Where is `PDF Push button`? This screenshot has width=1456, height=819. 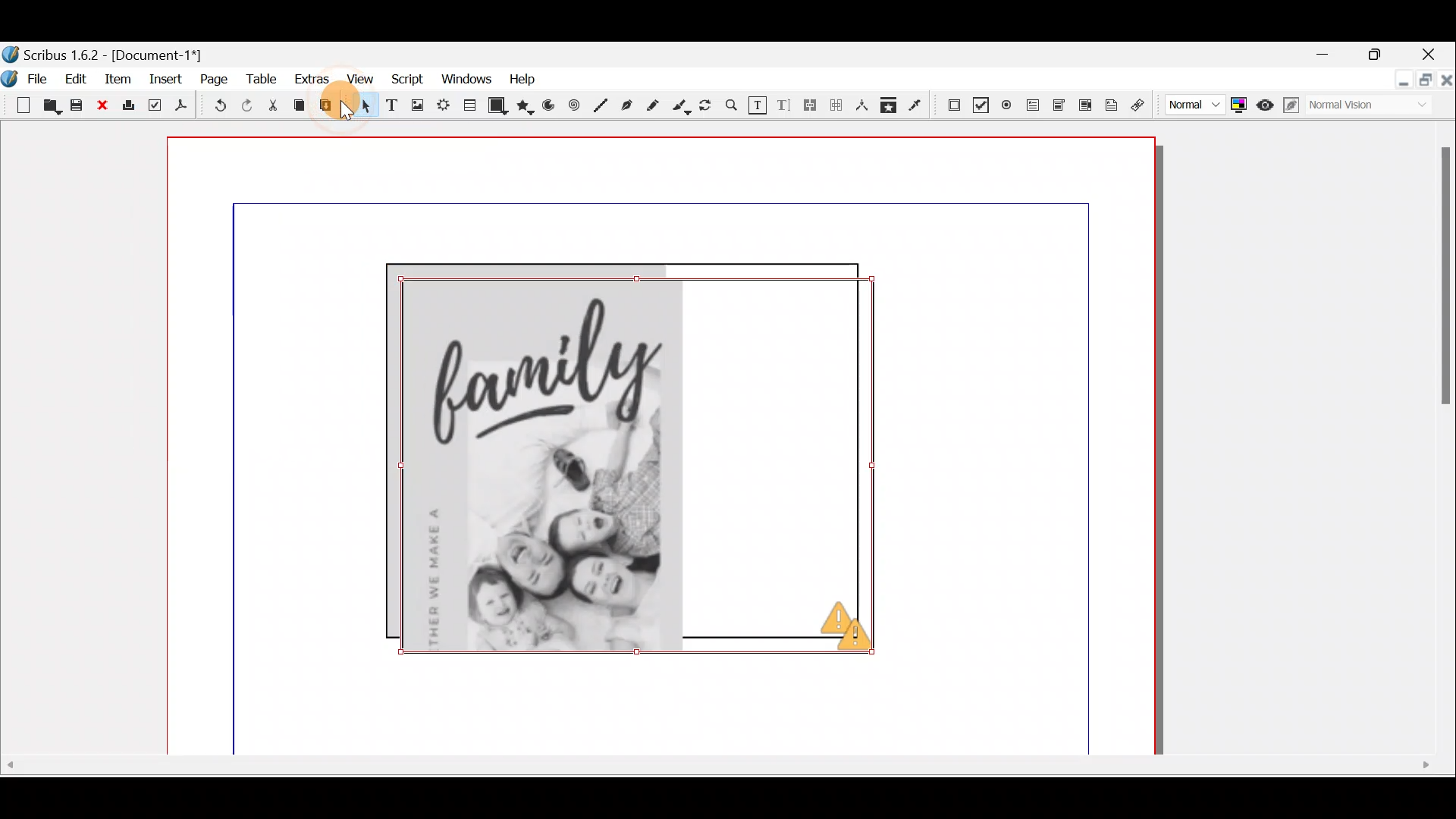 PDF Push button is located at coordinates (952, 104).